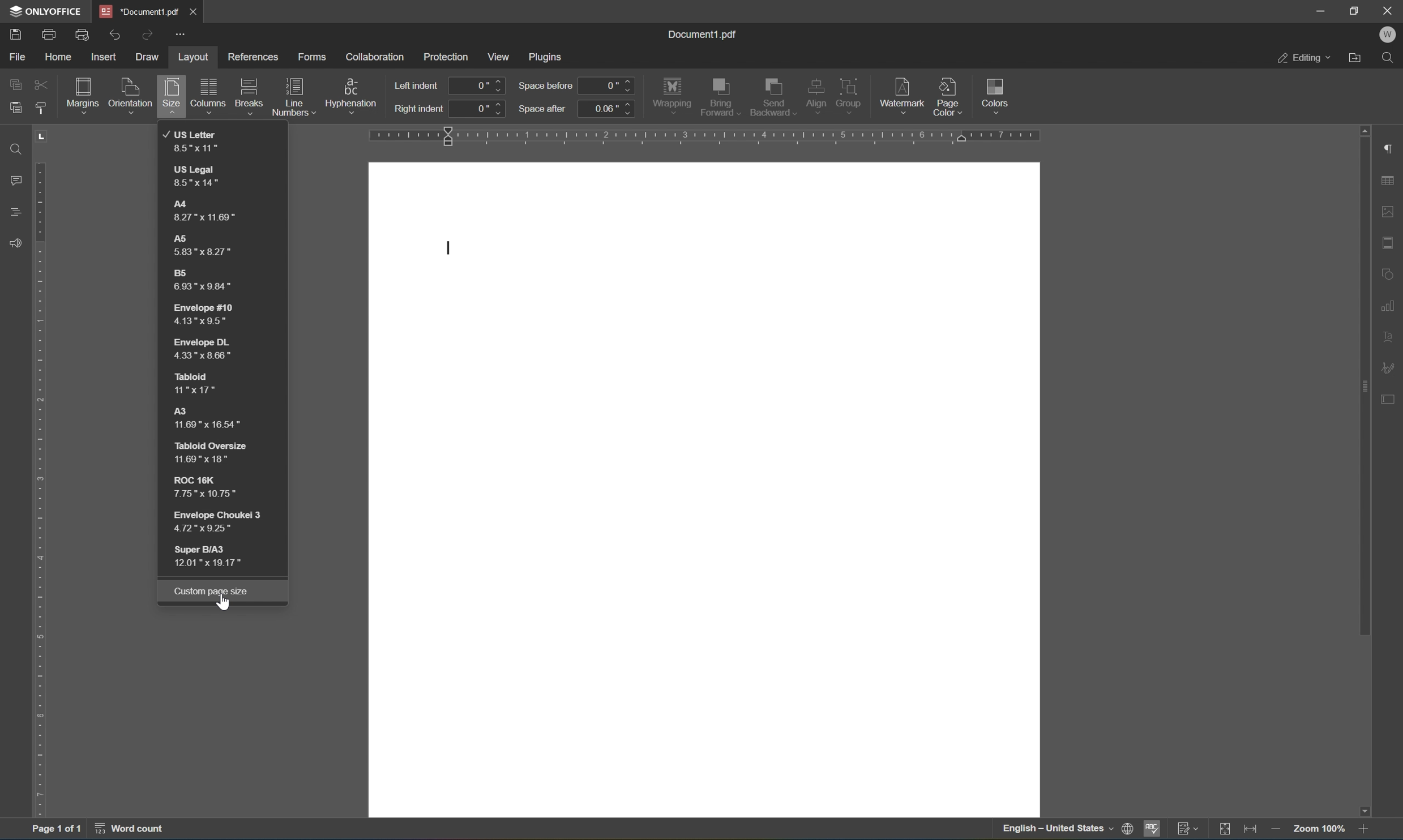 Image resolution: width=1403 pixels, height=840 pixels. Describe the element at coordinates (672, 94) in the screenshot. I see `wrapping` at that location.